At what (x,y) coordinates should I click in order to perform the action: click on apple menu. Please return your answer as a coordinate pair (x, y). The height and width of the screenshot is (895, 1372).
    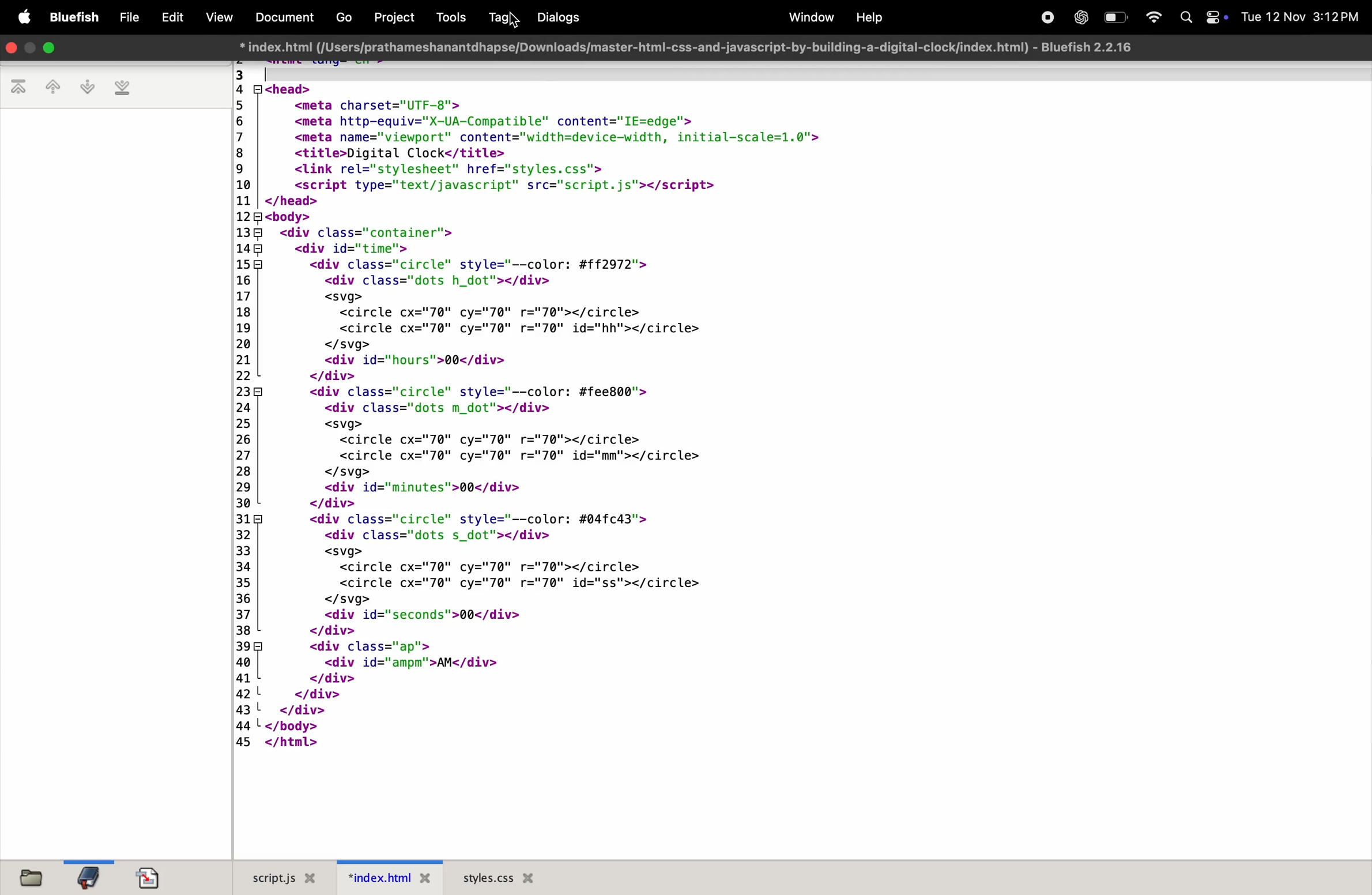
    Looking at the image, I should click on (22, 18).